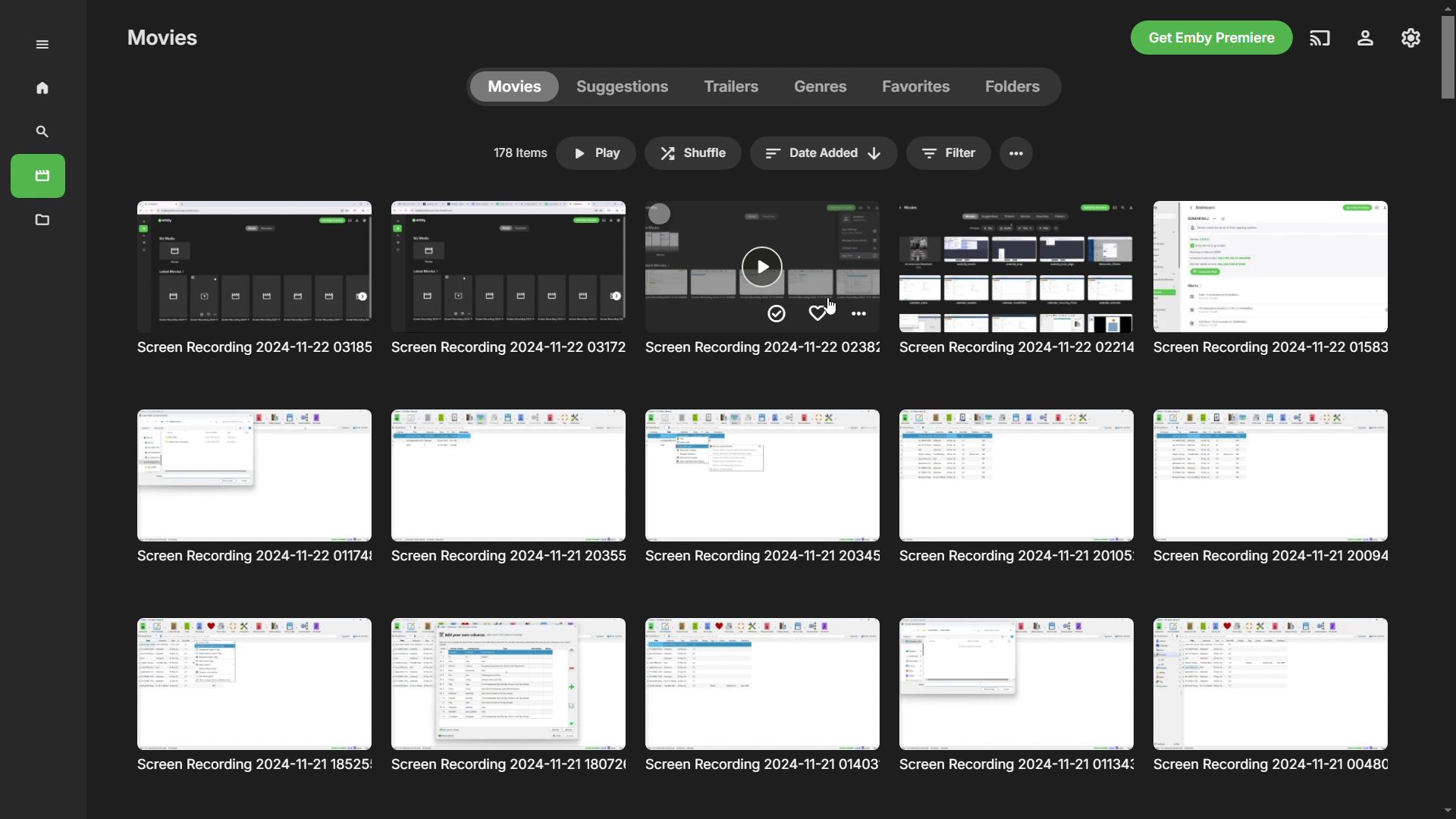 This screenshot has width=1456, height=819. Describe the element at coordinates (1018, 155) in the screenshot. I see `menu` at that location.